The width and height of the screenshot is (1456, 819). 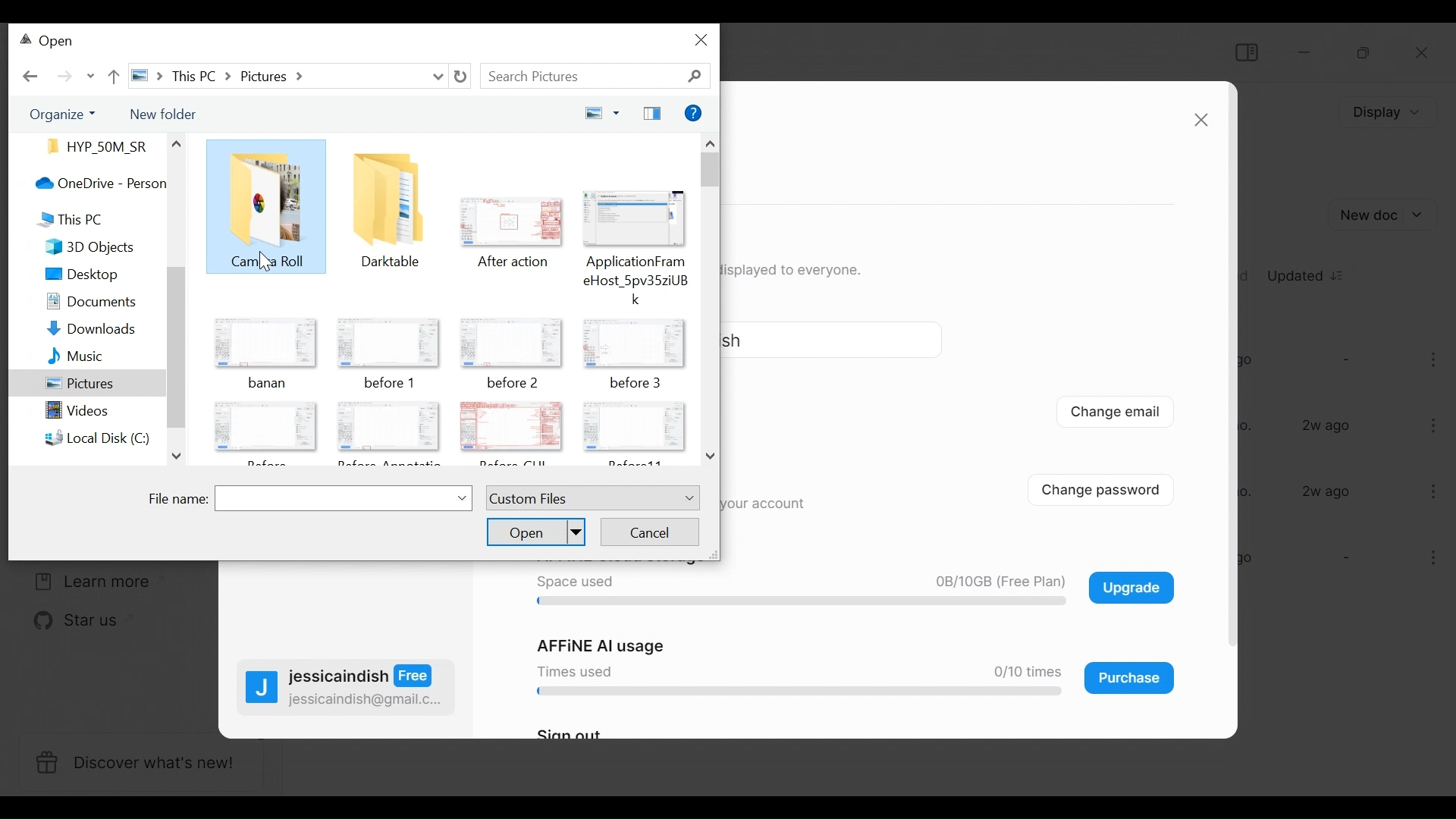 What do you see at coordinates (366, 700) in the screenshot?
I see `jessicaindish@gmail.c...` at bounding box center [366, 700].